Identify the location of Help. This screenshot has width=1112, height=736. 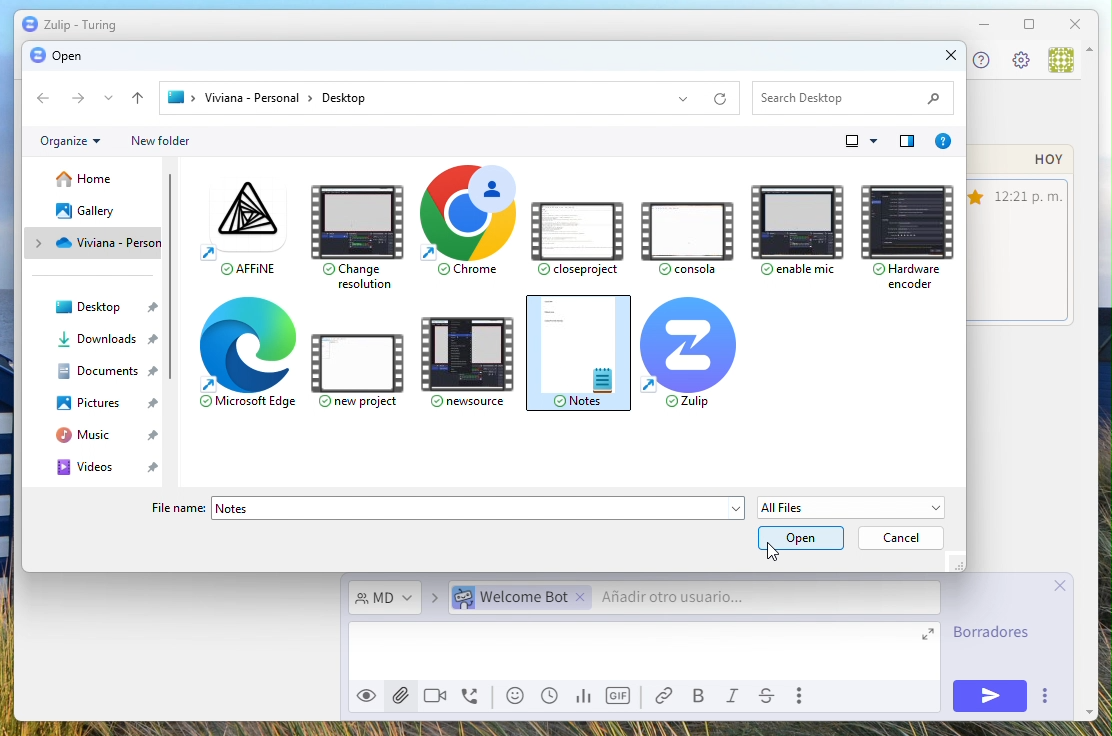
(978, 60).